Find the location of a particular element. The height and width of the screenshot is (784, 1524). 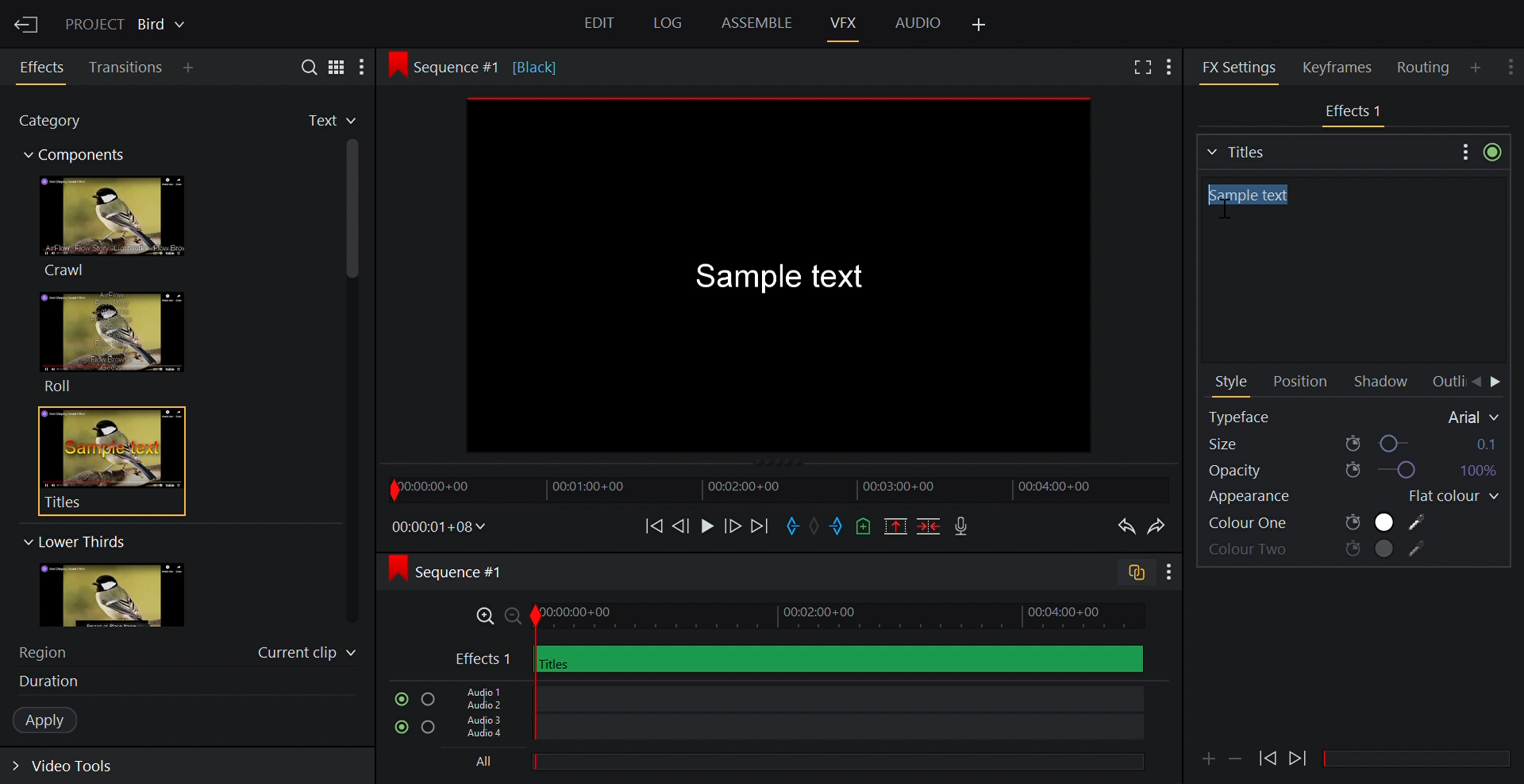

Move backward is located at coordinates (648, 525).